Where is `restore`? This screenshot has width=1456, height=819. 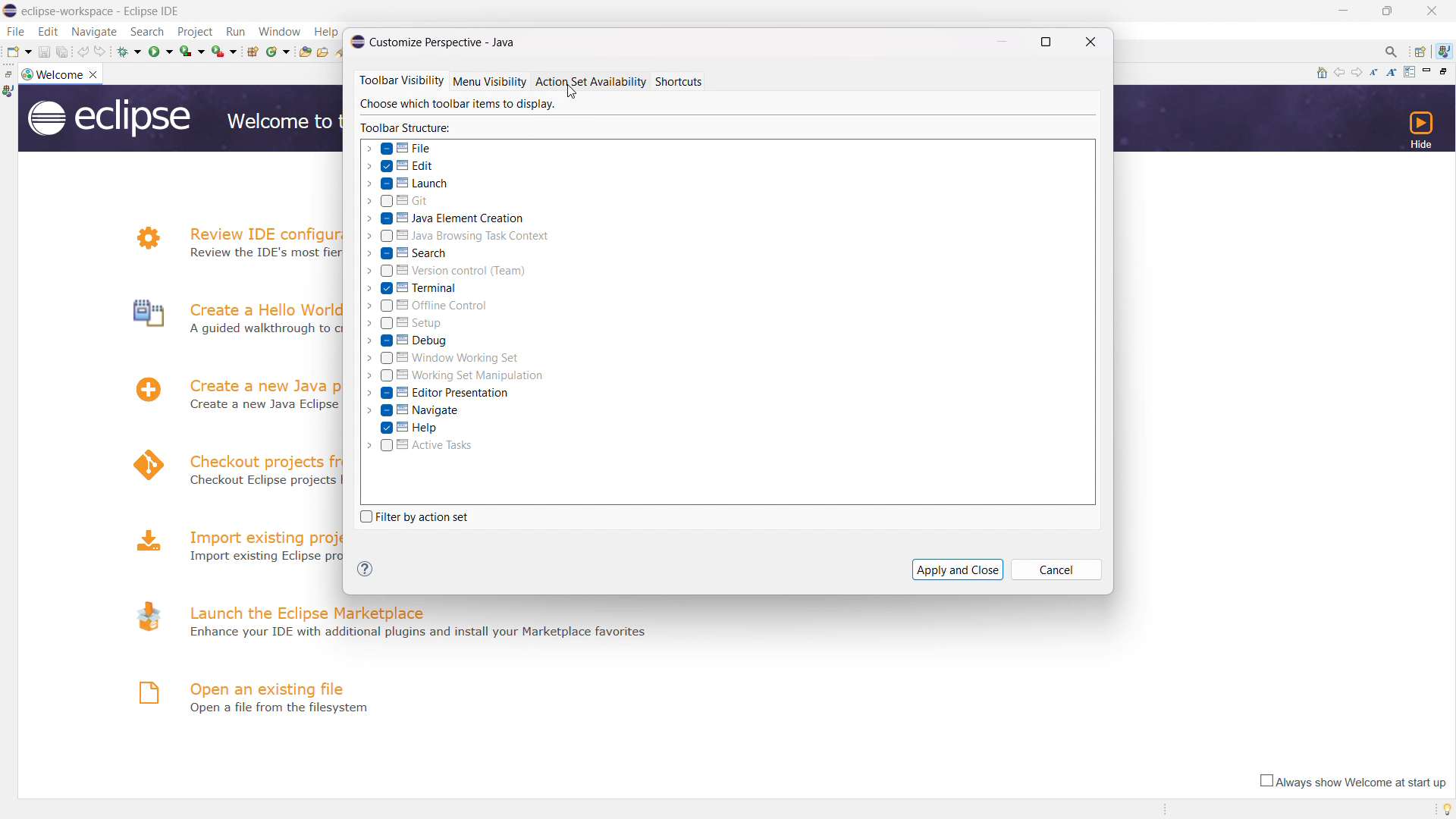
restore is located at coordinates (9, 74).